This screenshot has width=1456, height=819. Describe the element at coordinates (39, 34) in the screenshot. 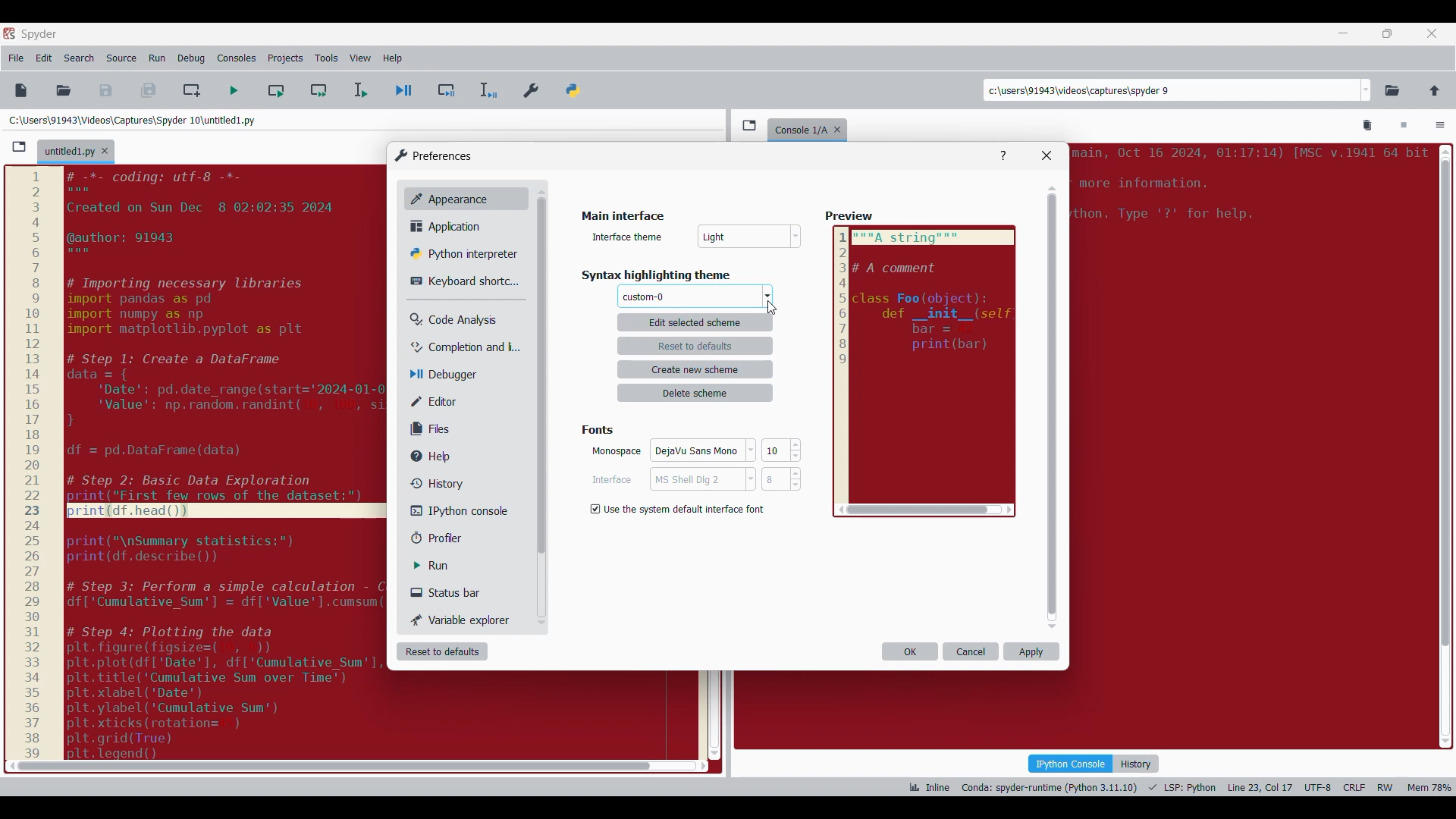

I see `Software name` at that location.